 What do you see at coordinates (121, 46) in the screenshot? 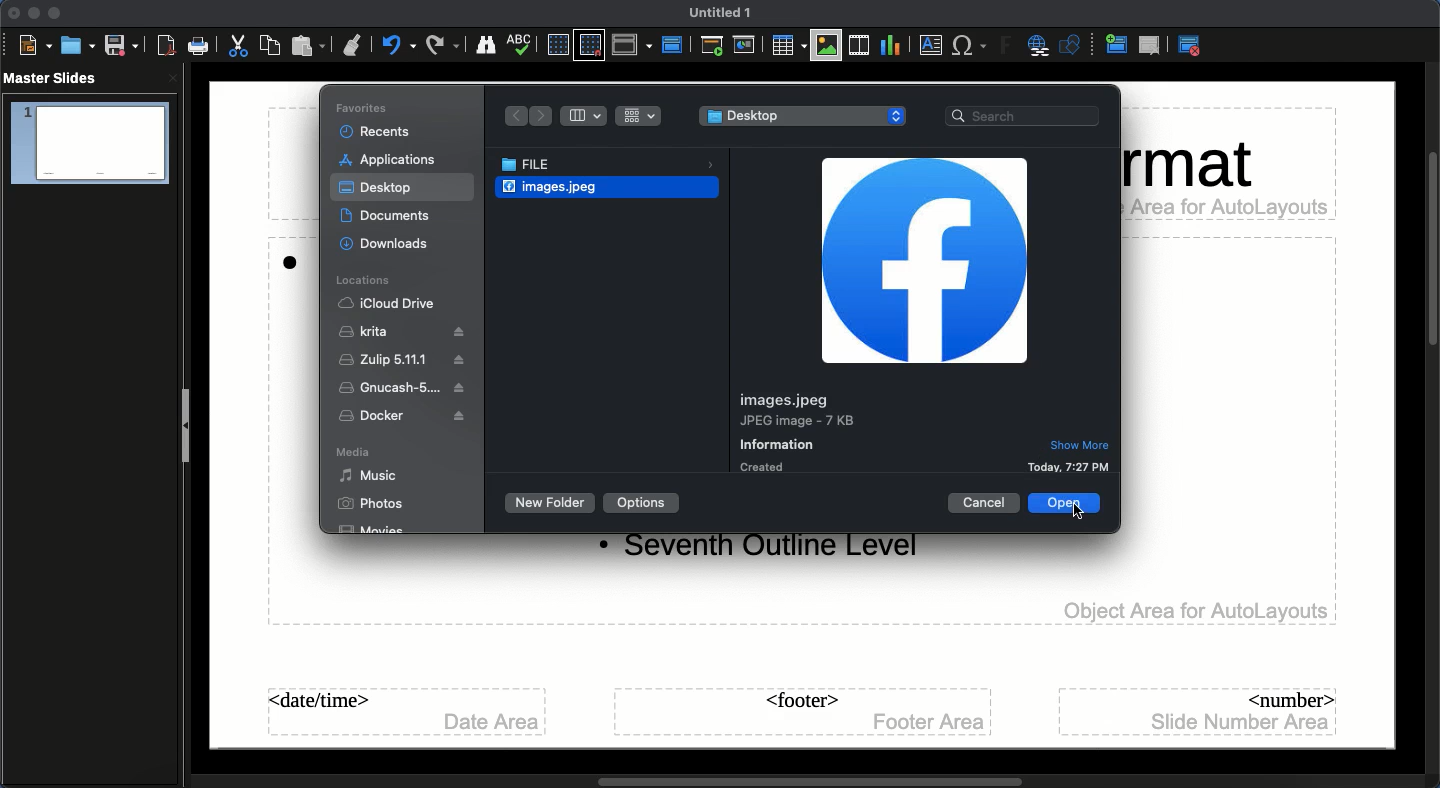
I see `Save` at bounding box center [121, 46].